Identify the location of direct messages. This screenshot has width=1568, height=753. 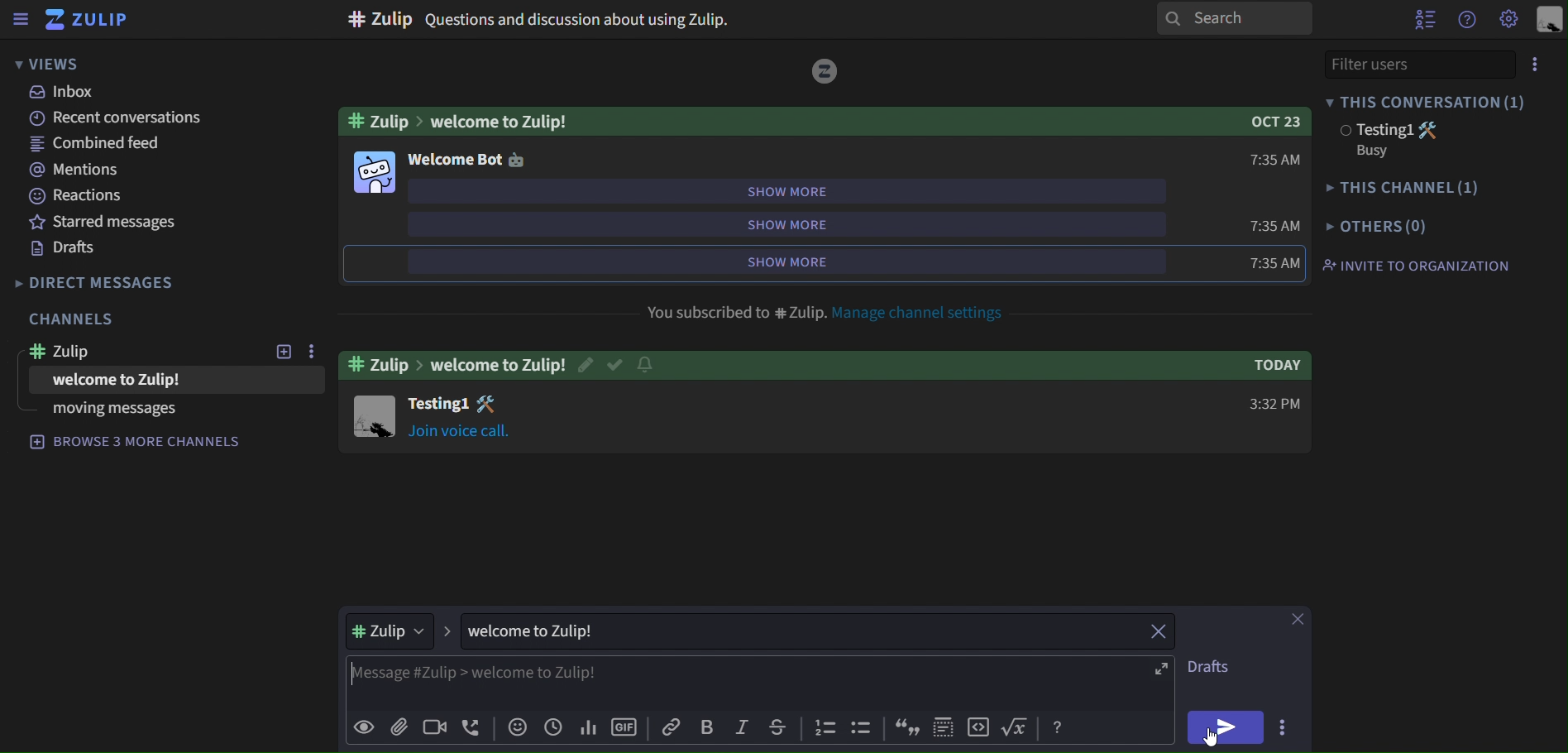
(97, 282).